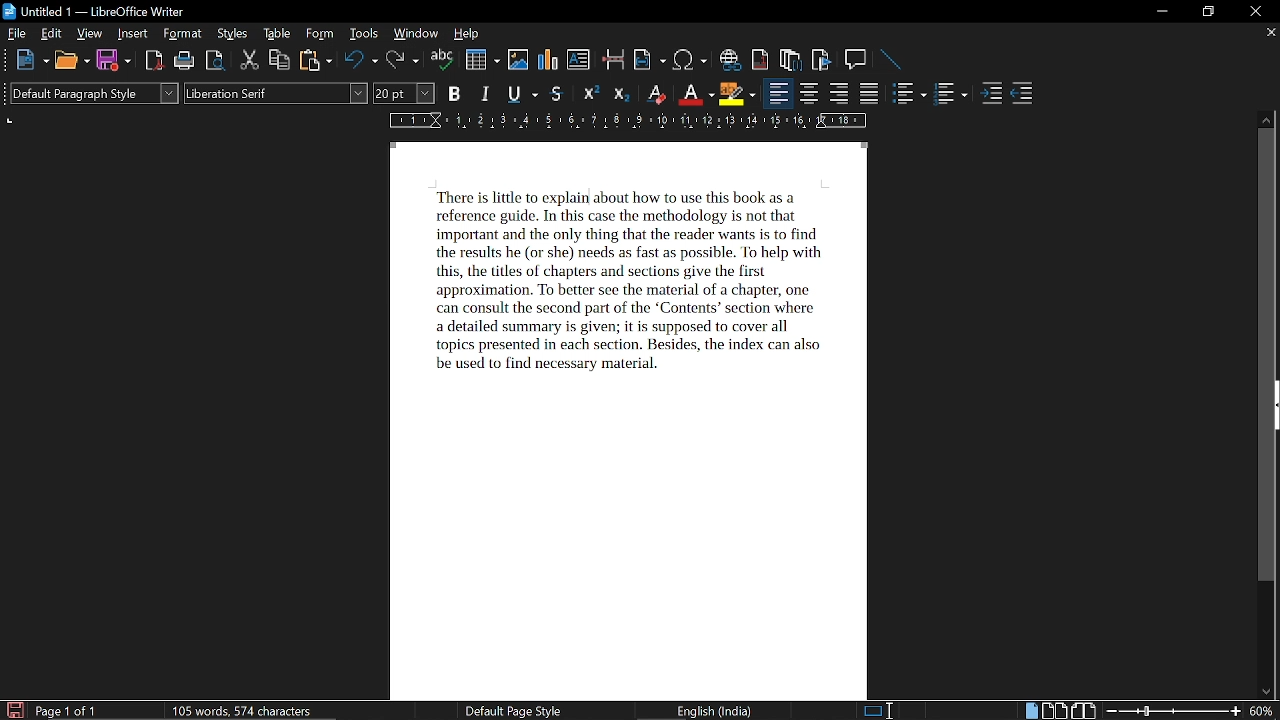 This screenshot has height=720, width=1280. I want to click on strikethrough, so click(558, 95).